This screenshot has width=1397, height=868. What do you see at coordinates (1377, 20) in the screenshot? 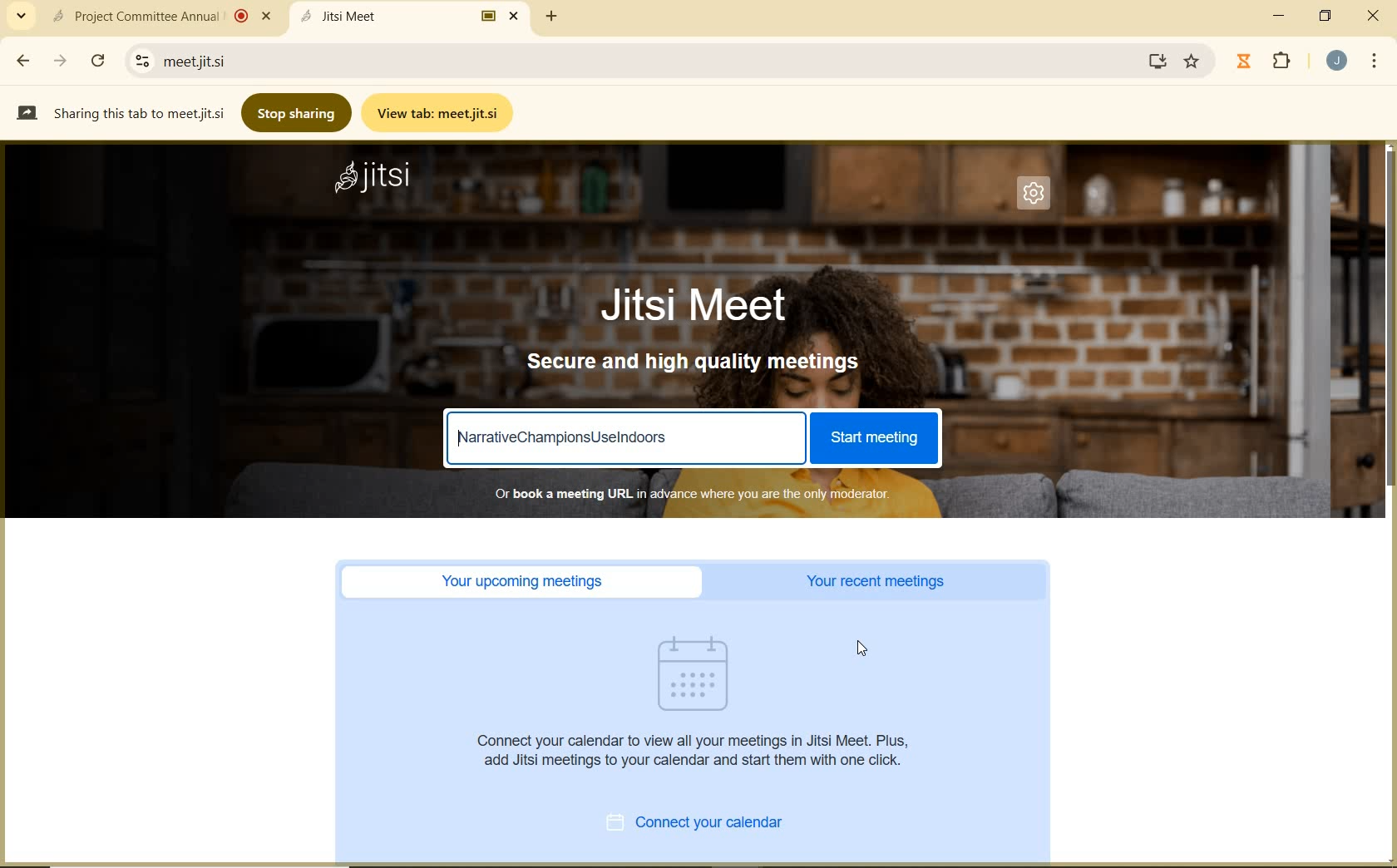
I see `close` at bounding box center [1377, 20].